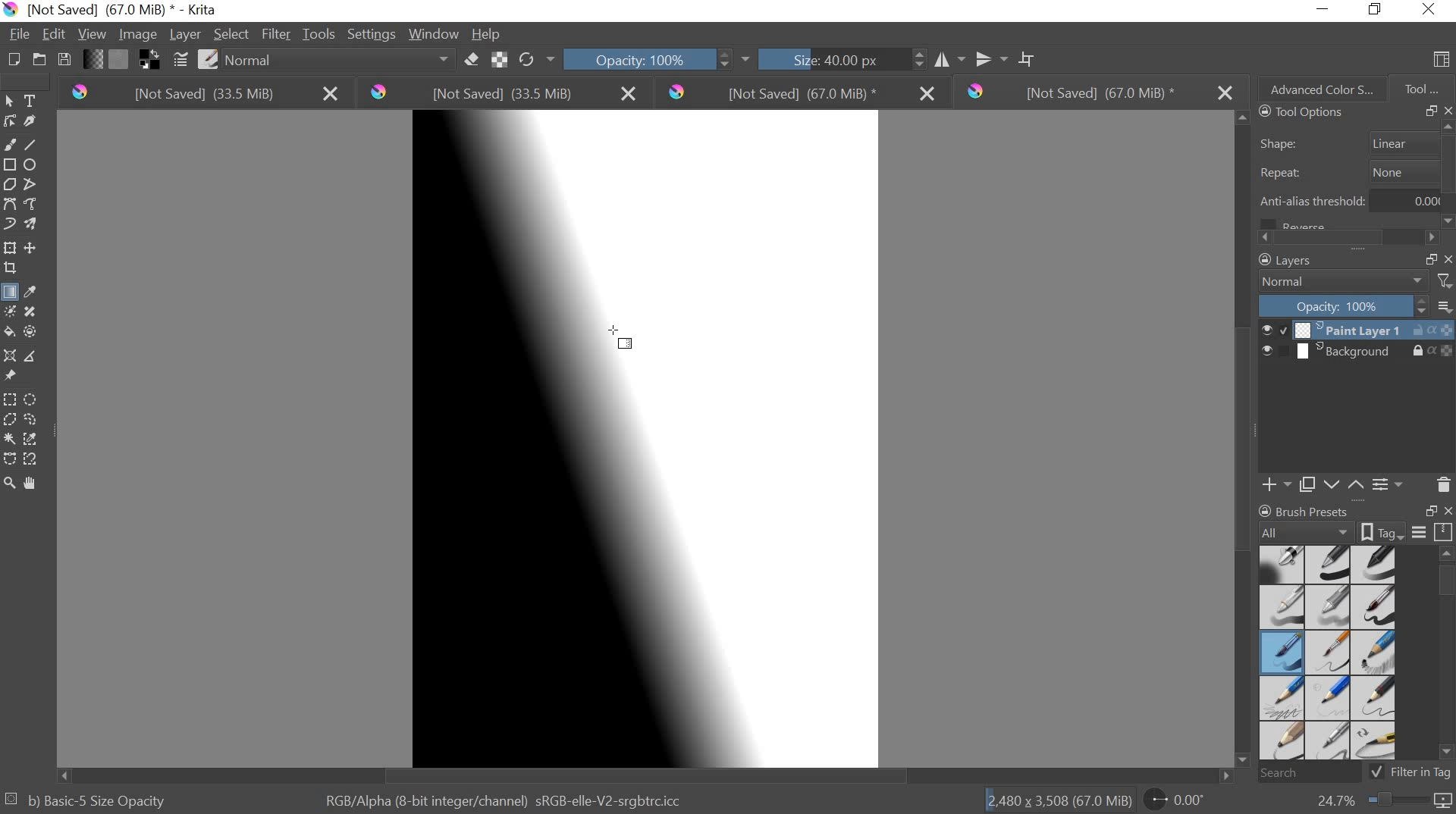 This screenshot has width=1456, height=814. What do you see at coordinates (1447, 111) in the screenshot?
I see `CLOSE` at bounding box center [1447, 111].